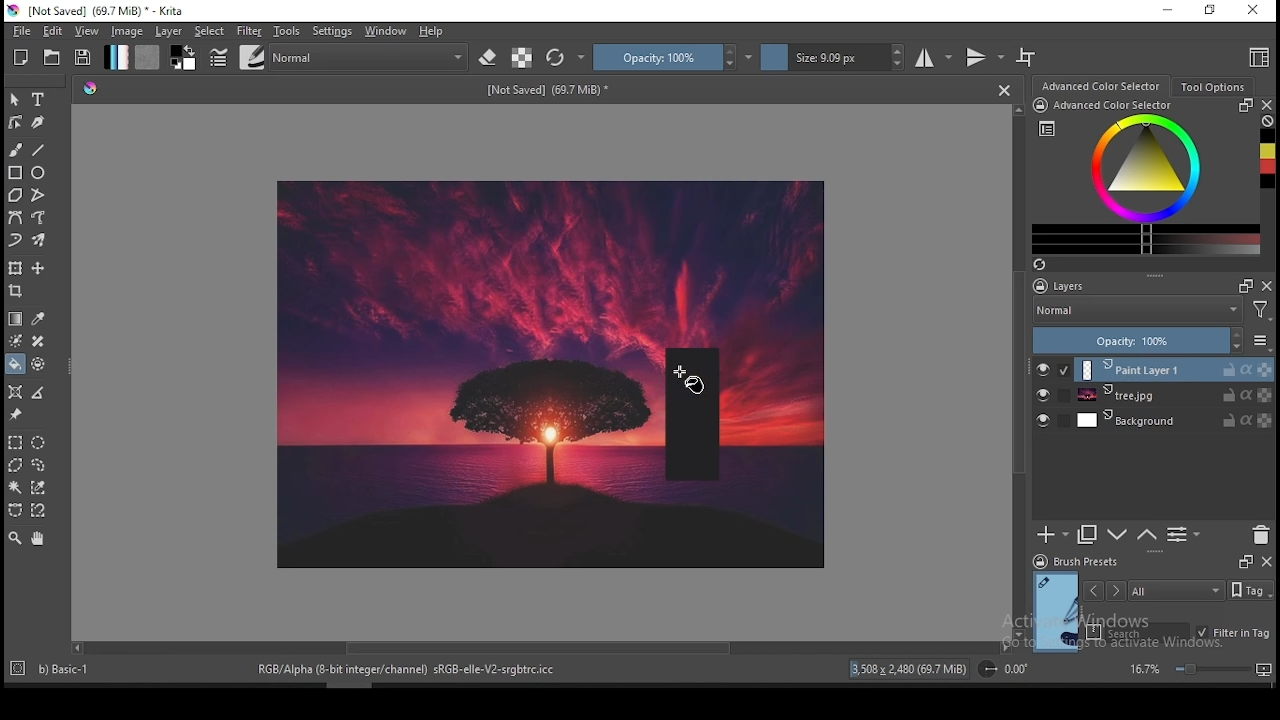 The width and height of the screenshot is (1280, 720). I want to click on set eraser mode, so click(490, 56).